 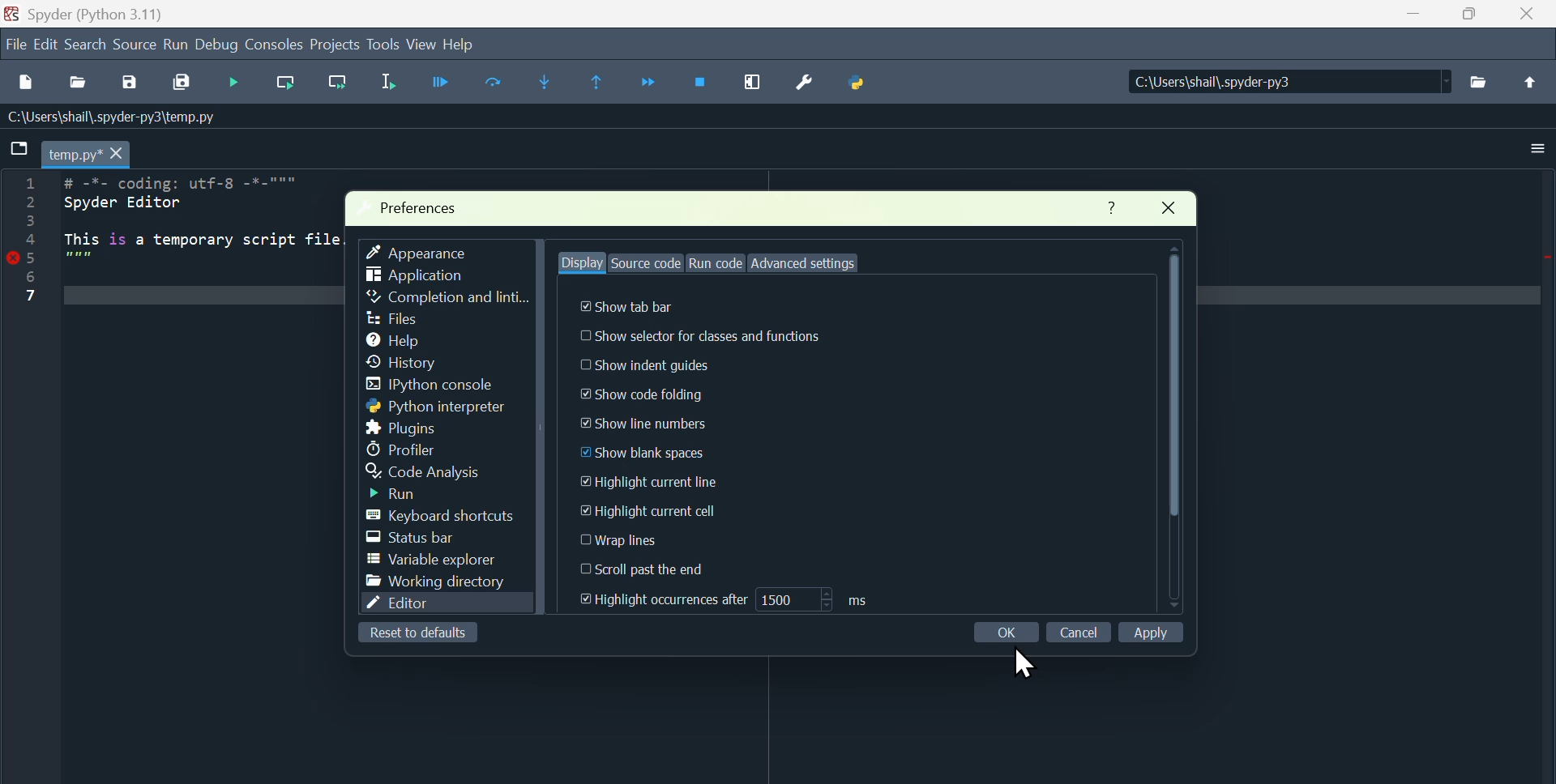 I want to click on Show blank spaces, so click(x=647, y=449).